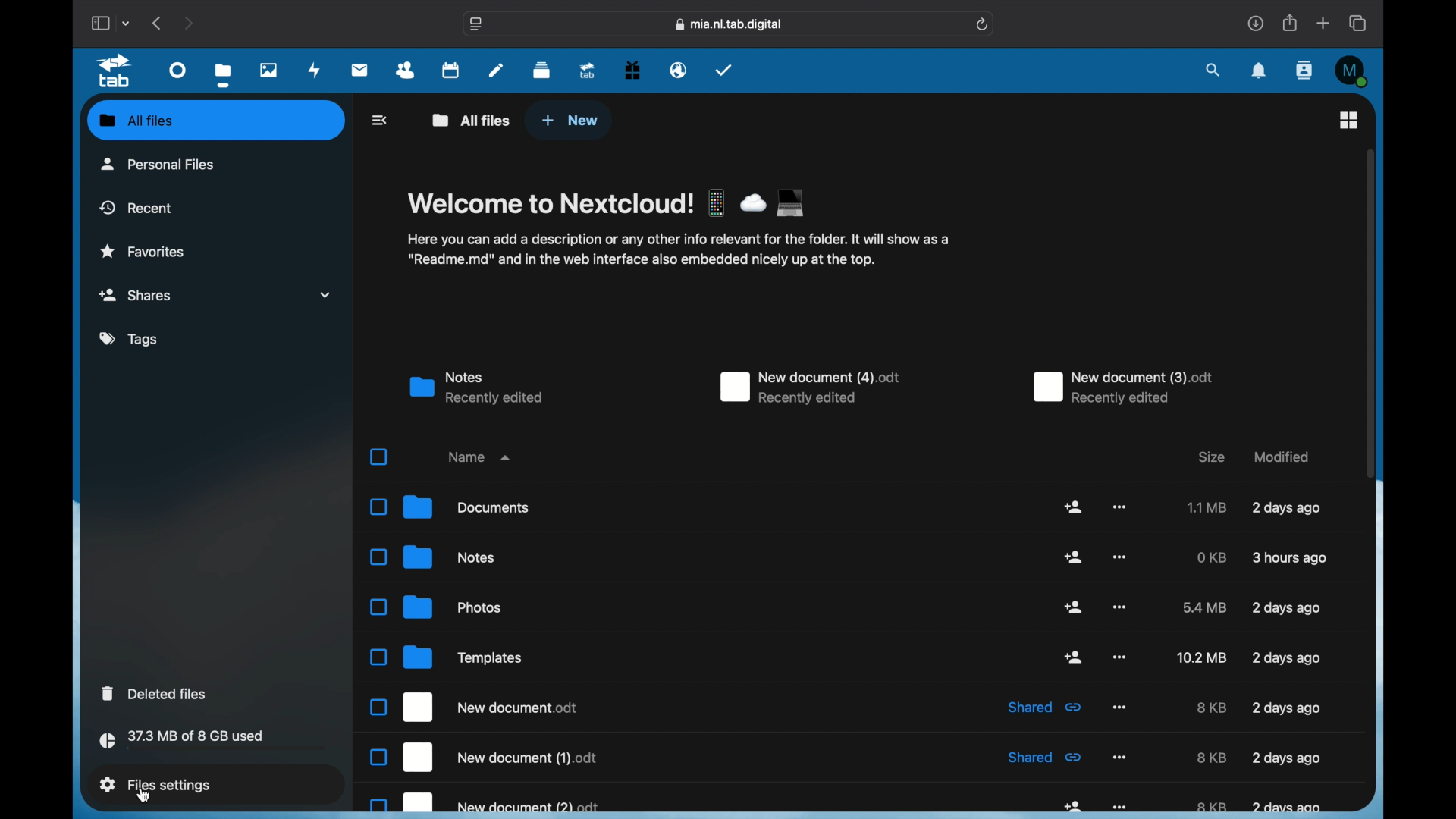 Image resolution: width=1456 pixels, height=819 pixels. I want to click on deleted files, so click(155, 692).